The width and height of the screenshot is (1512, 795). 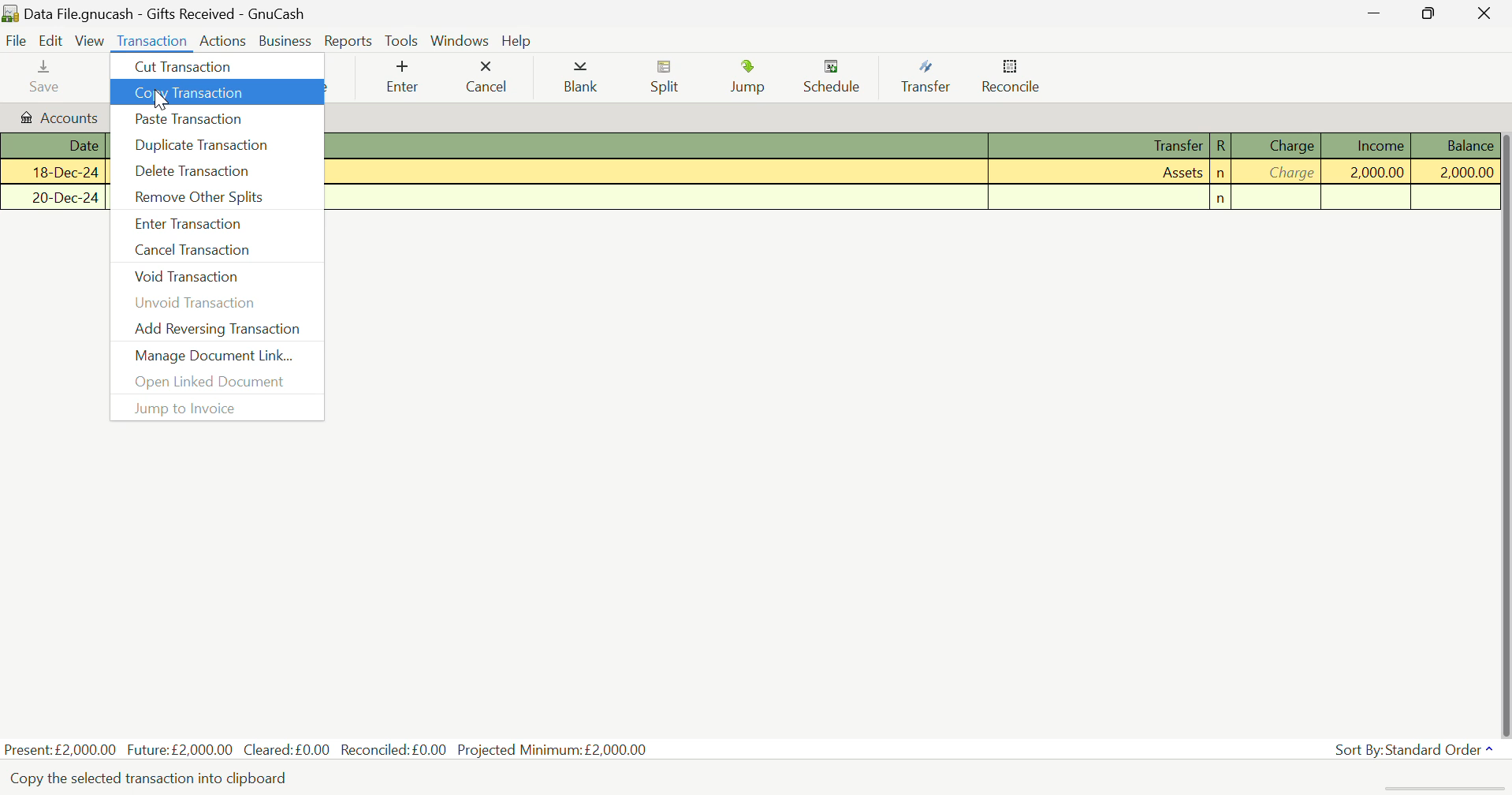 I want to click on Date, so click(x=53, y=198).